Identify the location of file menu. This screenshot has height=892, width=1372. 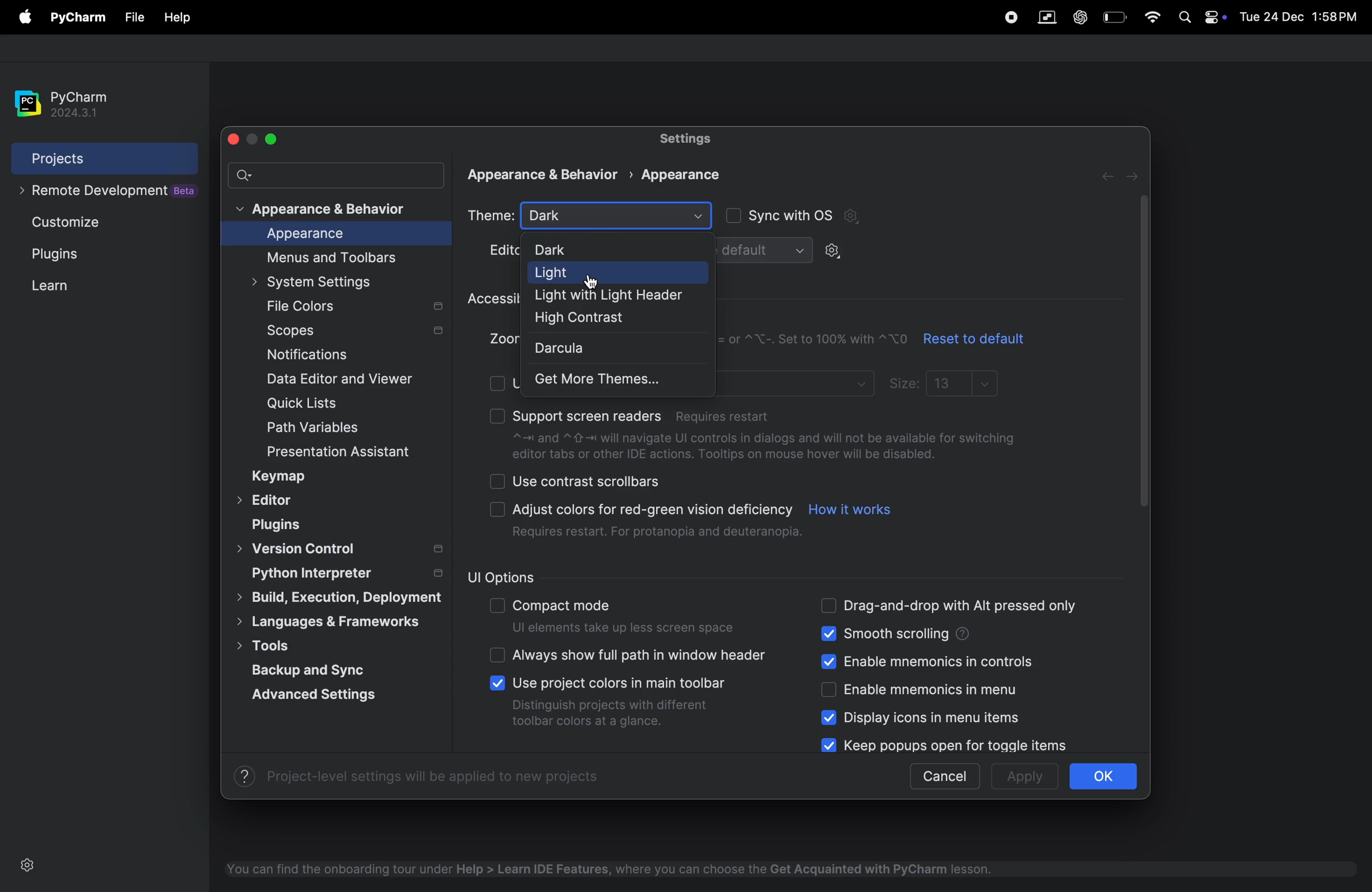
(22, 17).